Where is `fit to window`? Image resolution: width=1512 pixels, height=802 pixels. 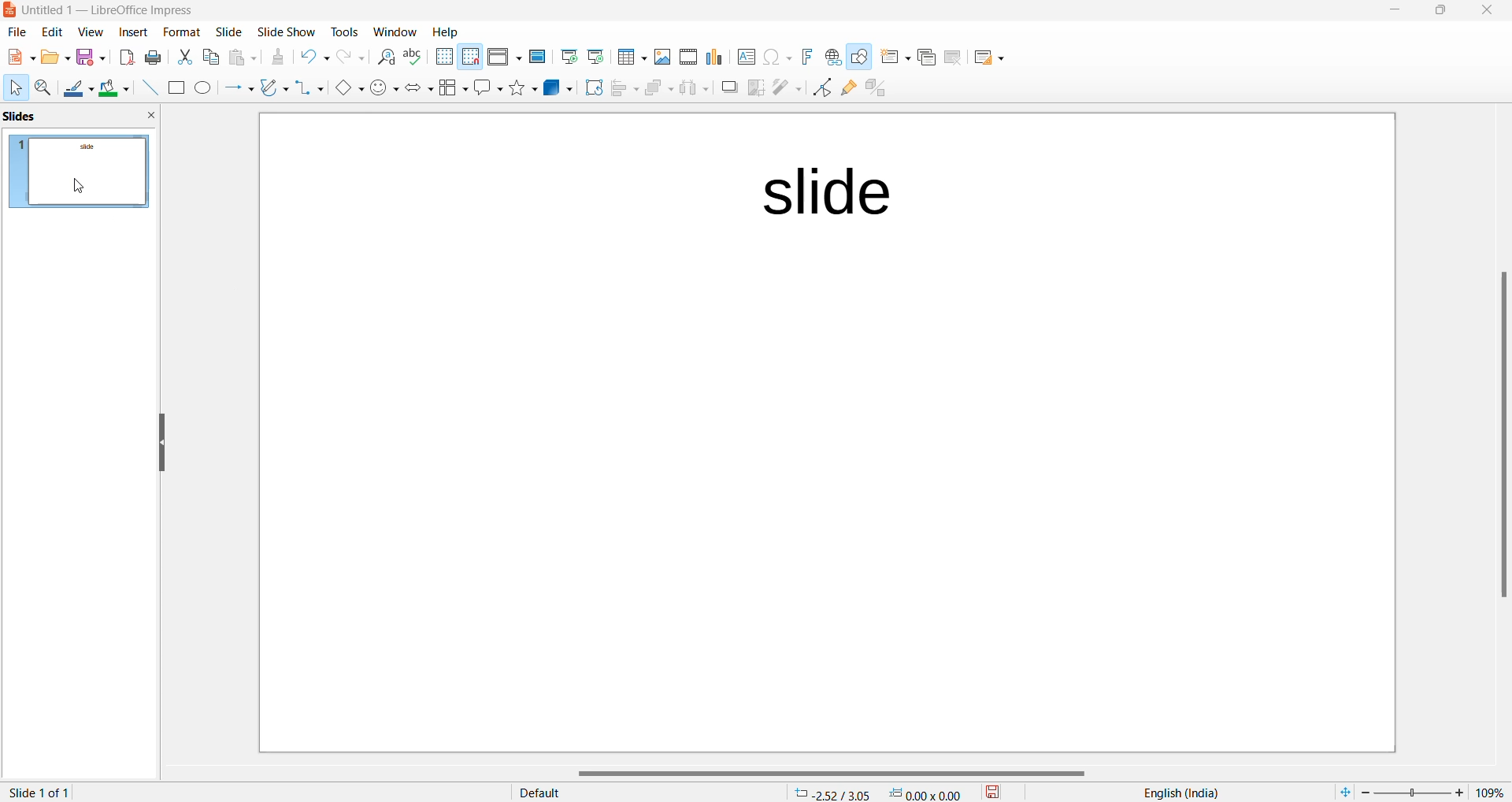 fit to window is located at coordinates (1344, 790).